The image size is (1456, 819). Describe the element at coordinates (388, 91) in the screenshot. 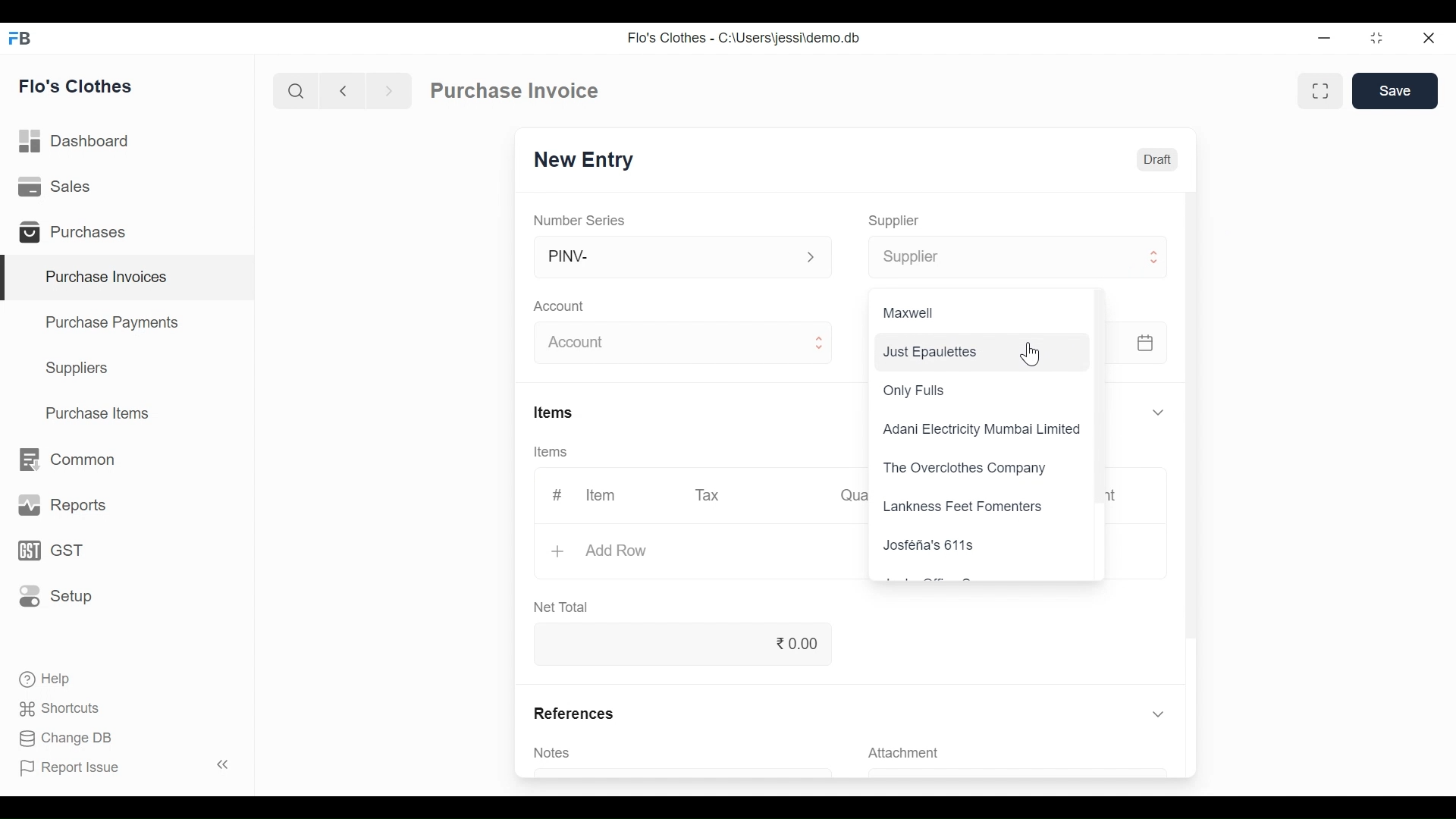

I see `Navigate forward` at that location.